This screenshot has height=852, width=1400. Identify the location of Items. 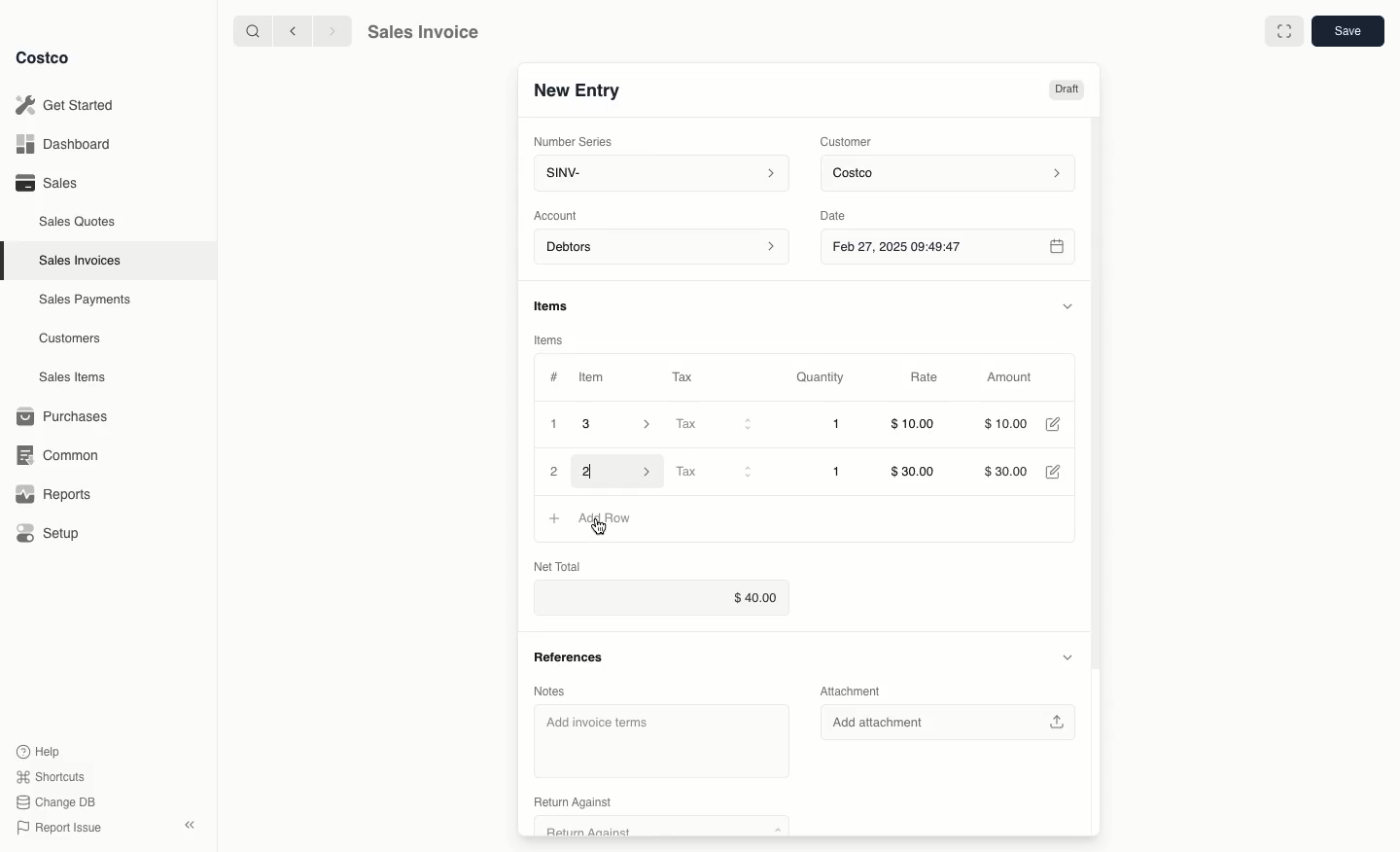
(552, 340).